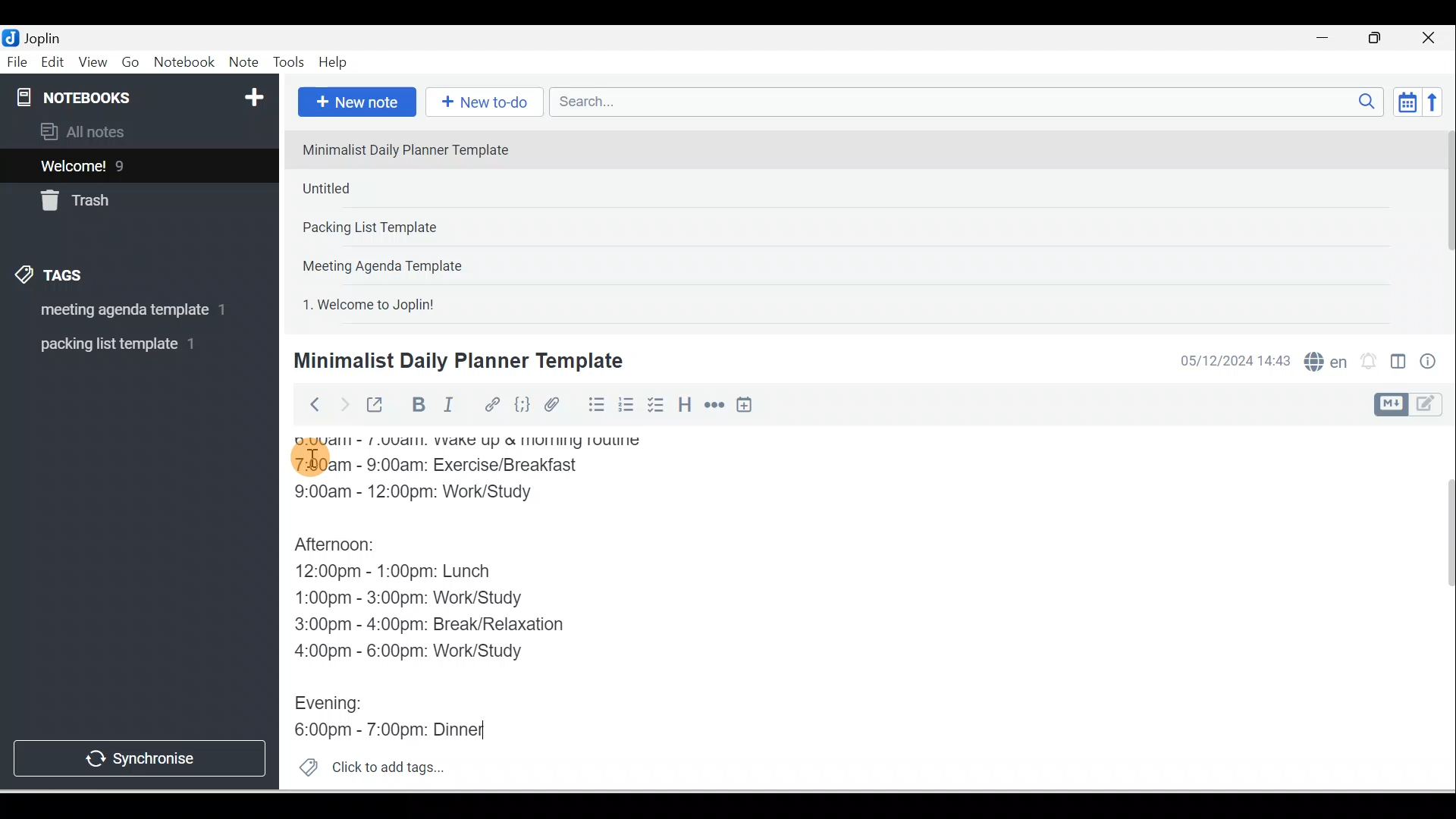 This screenshot has width=1456, height=819. I want to click on Heading, so click(684, 403).